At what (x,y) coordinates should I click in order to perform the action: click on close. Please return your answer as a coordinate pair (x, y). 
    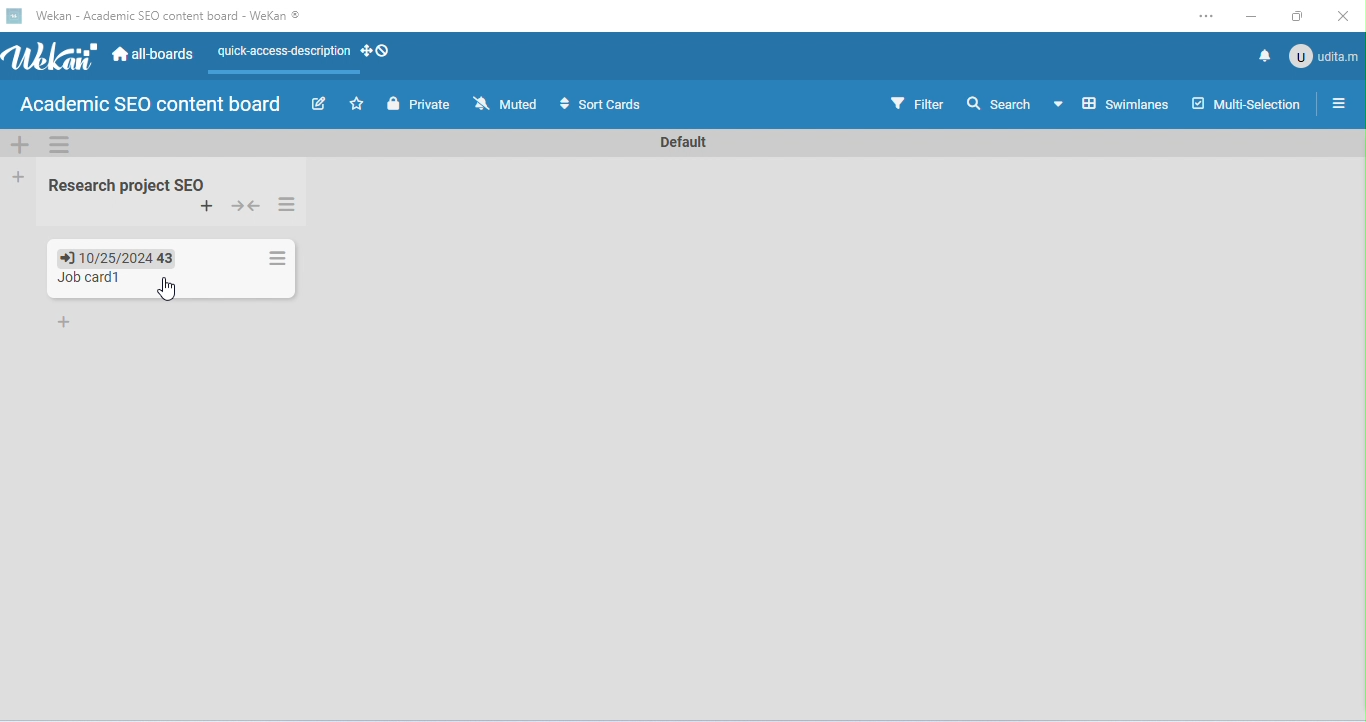
    Looking at the image, I should click on (1342, 17).